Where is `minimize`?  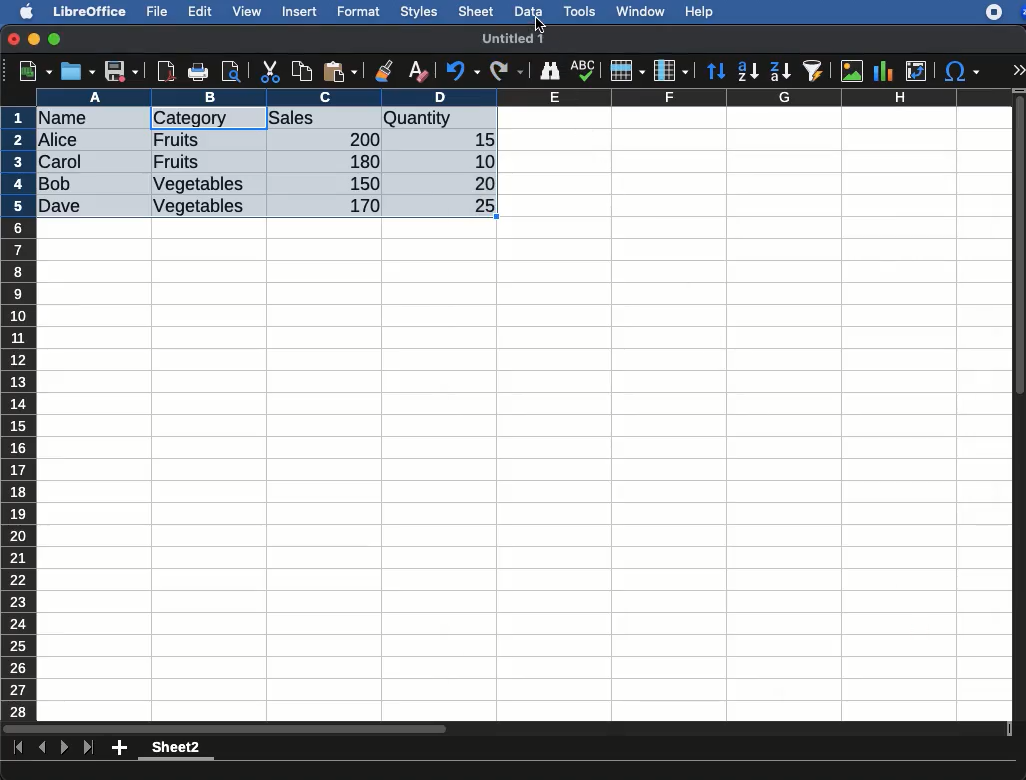 minimize is located at coordinates (35, 39).